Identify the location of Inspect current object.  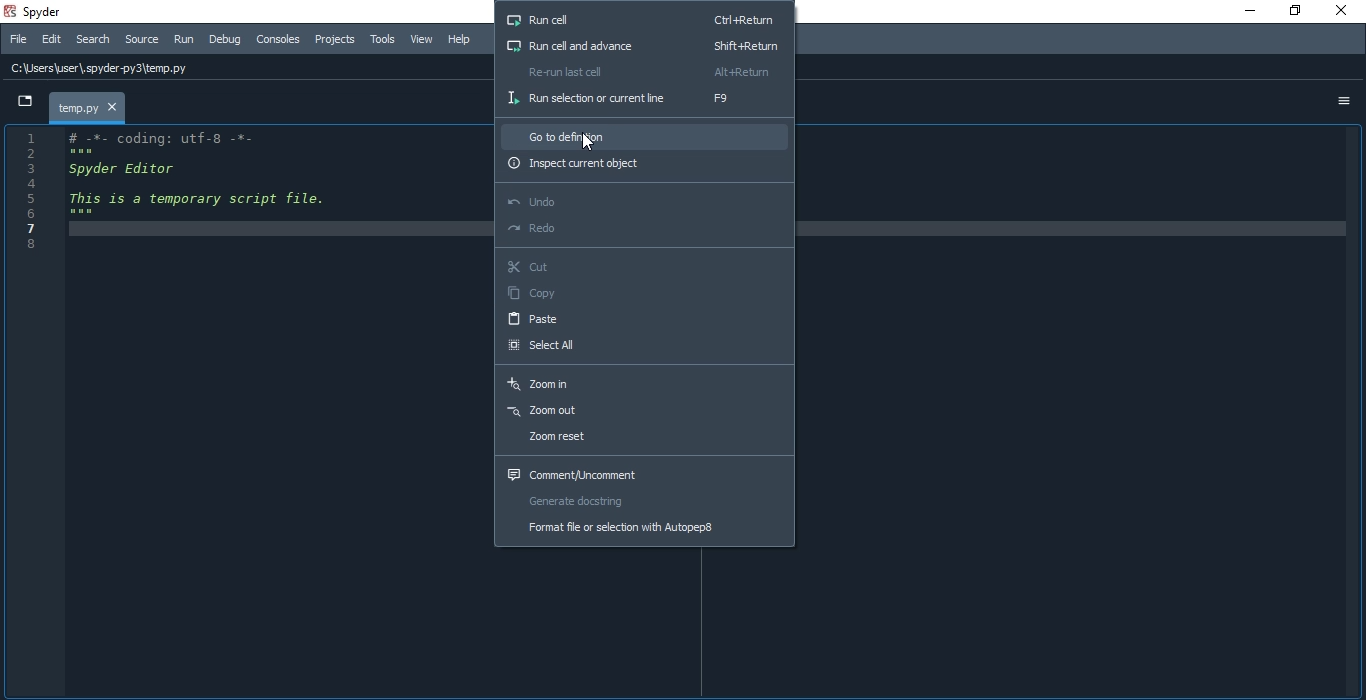
(646, 164).